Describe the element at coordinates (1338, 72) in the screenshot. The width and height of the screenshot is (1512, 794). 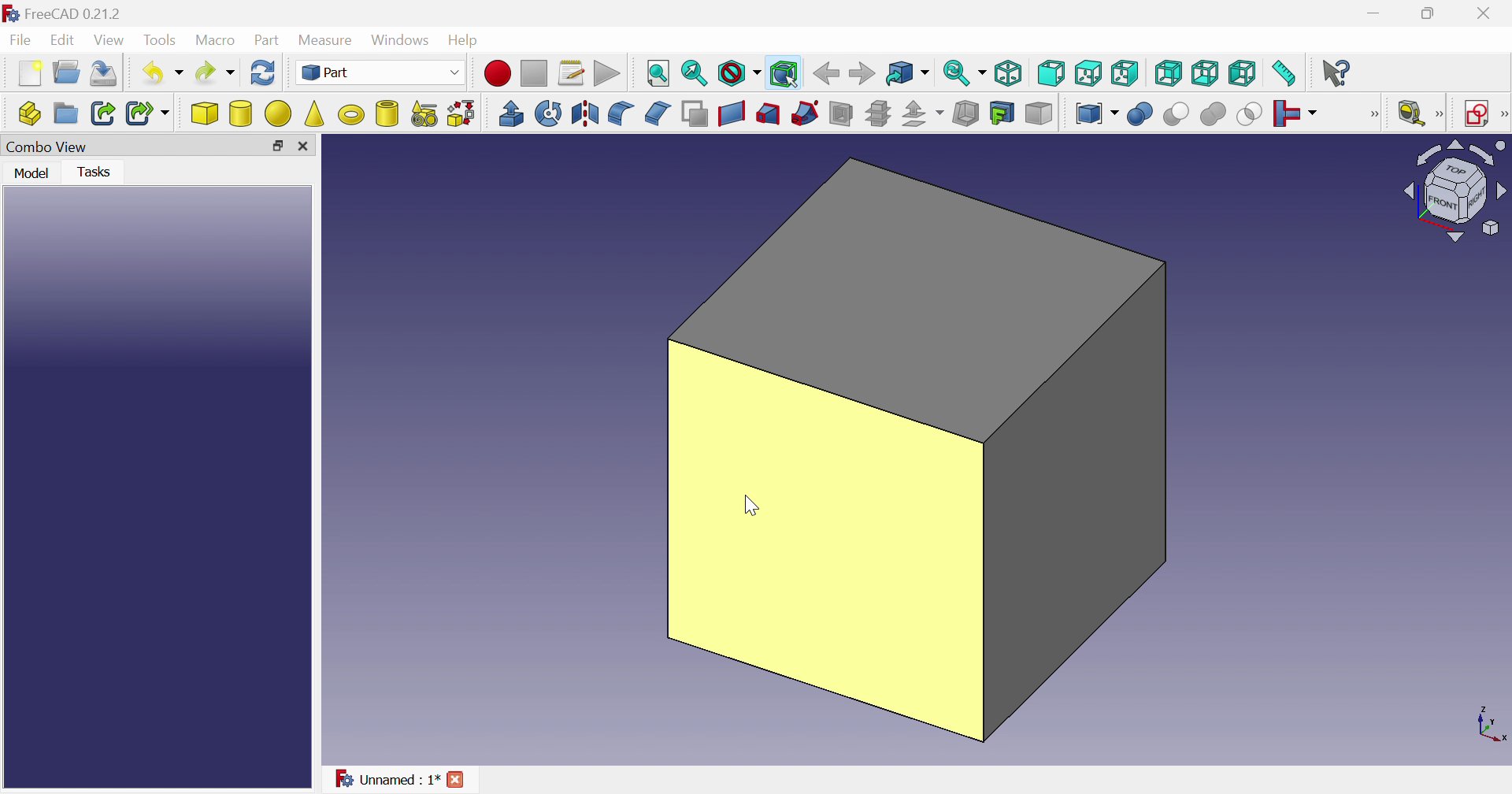
I see `What's this?` at that location.